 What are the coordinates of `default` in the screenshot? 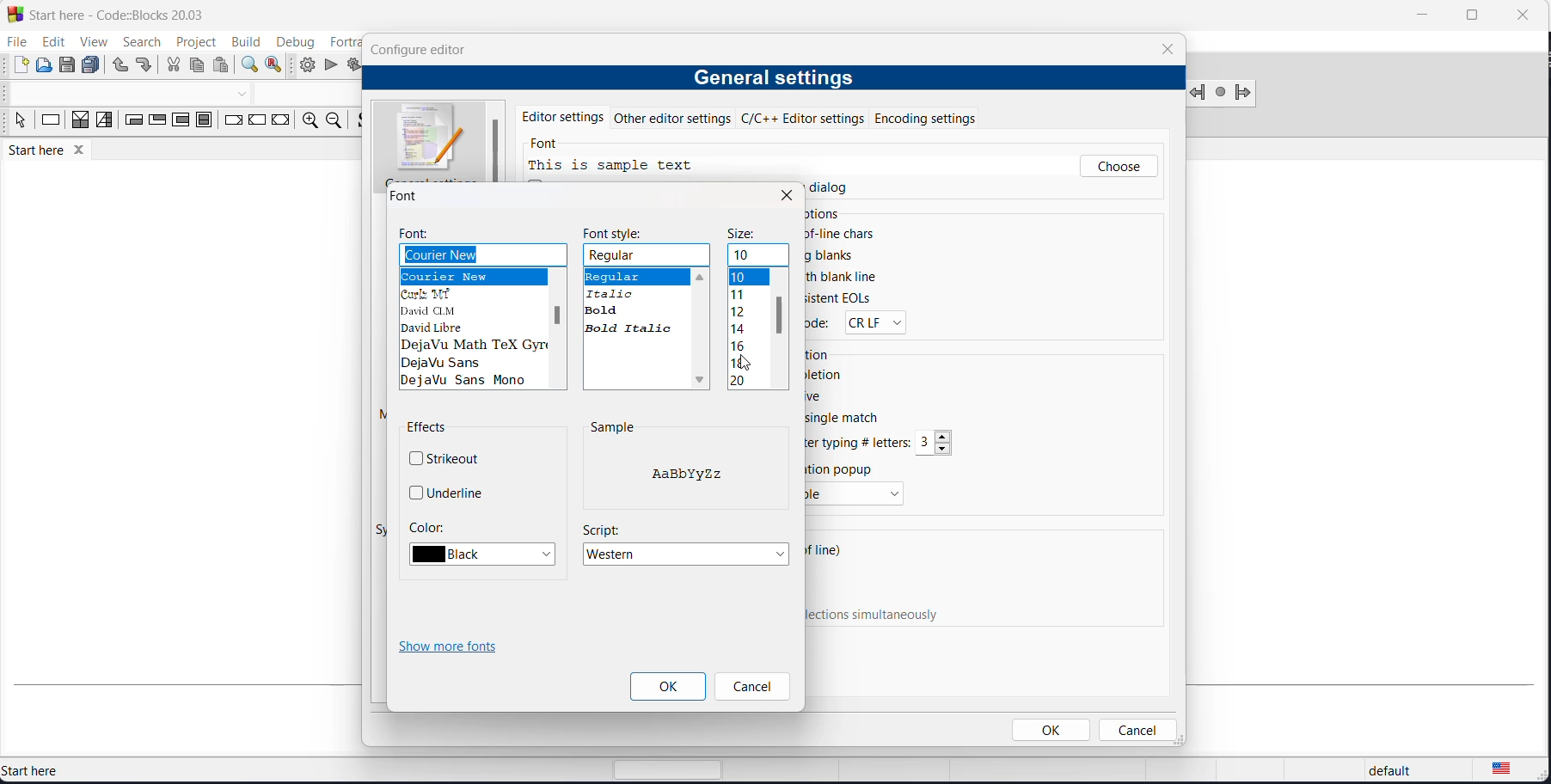 It's located at (1385, 772).